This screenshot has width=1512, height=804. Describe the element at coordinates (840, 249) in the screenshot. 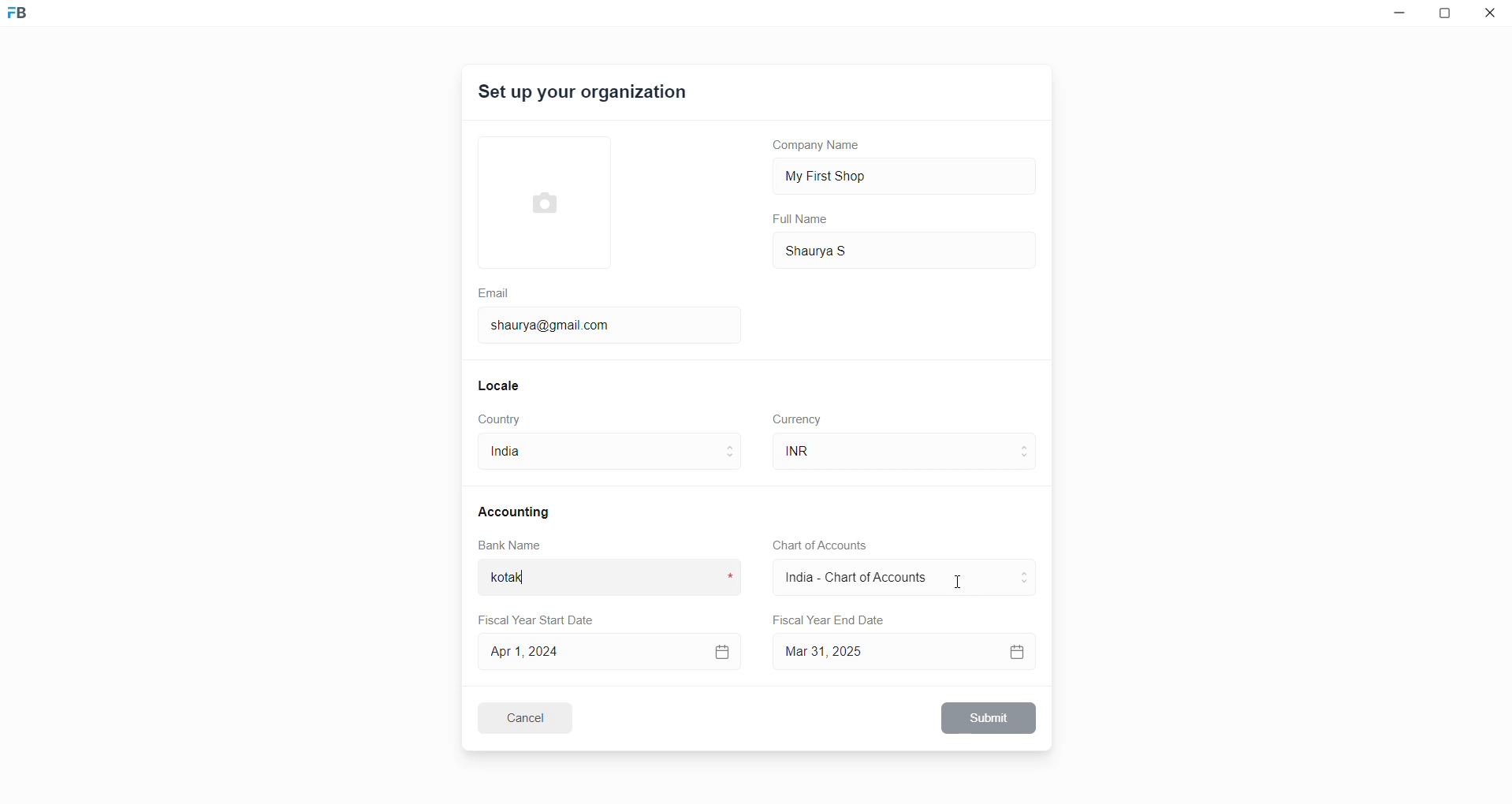

I see `Shaurya S` at that location.